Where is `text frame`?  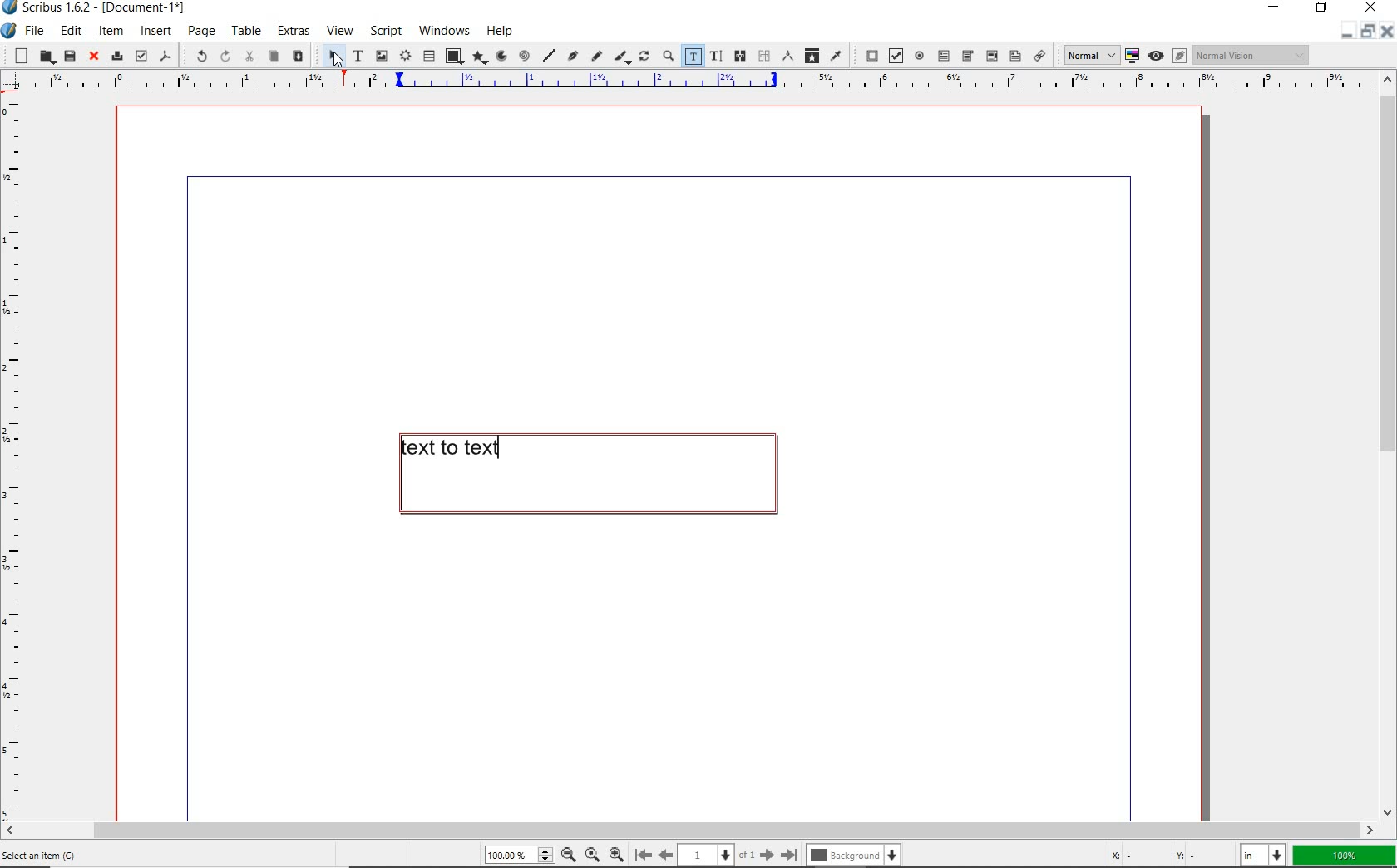
text frame is located at coordinates (357, 57).